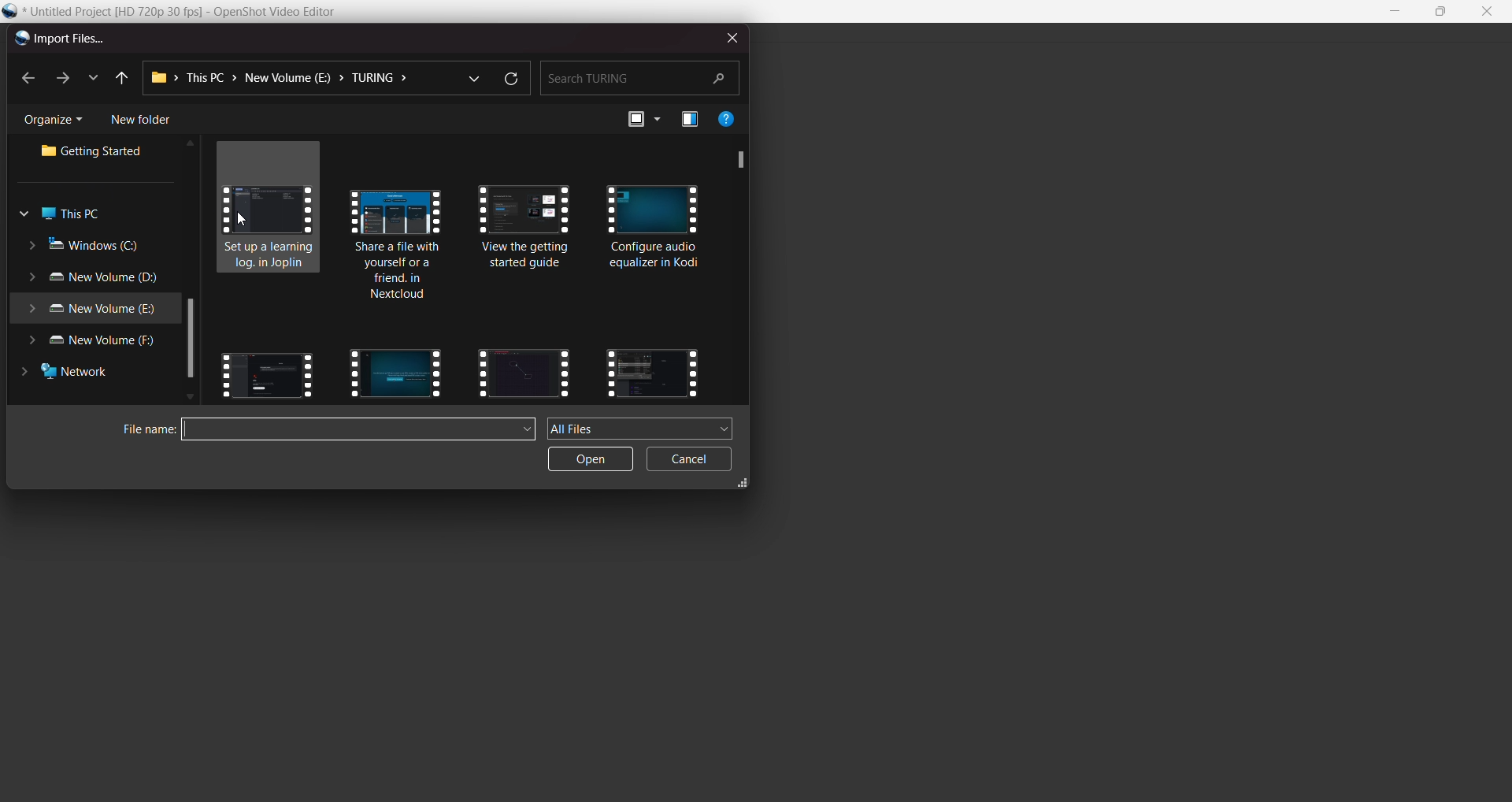 This screenshot has height=802, width=1512. What do you see at coordinates (690, 121) in the screenshot?
I see `preview` at bounding box center [690, 121].